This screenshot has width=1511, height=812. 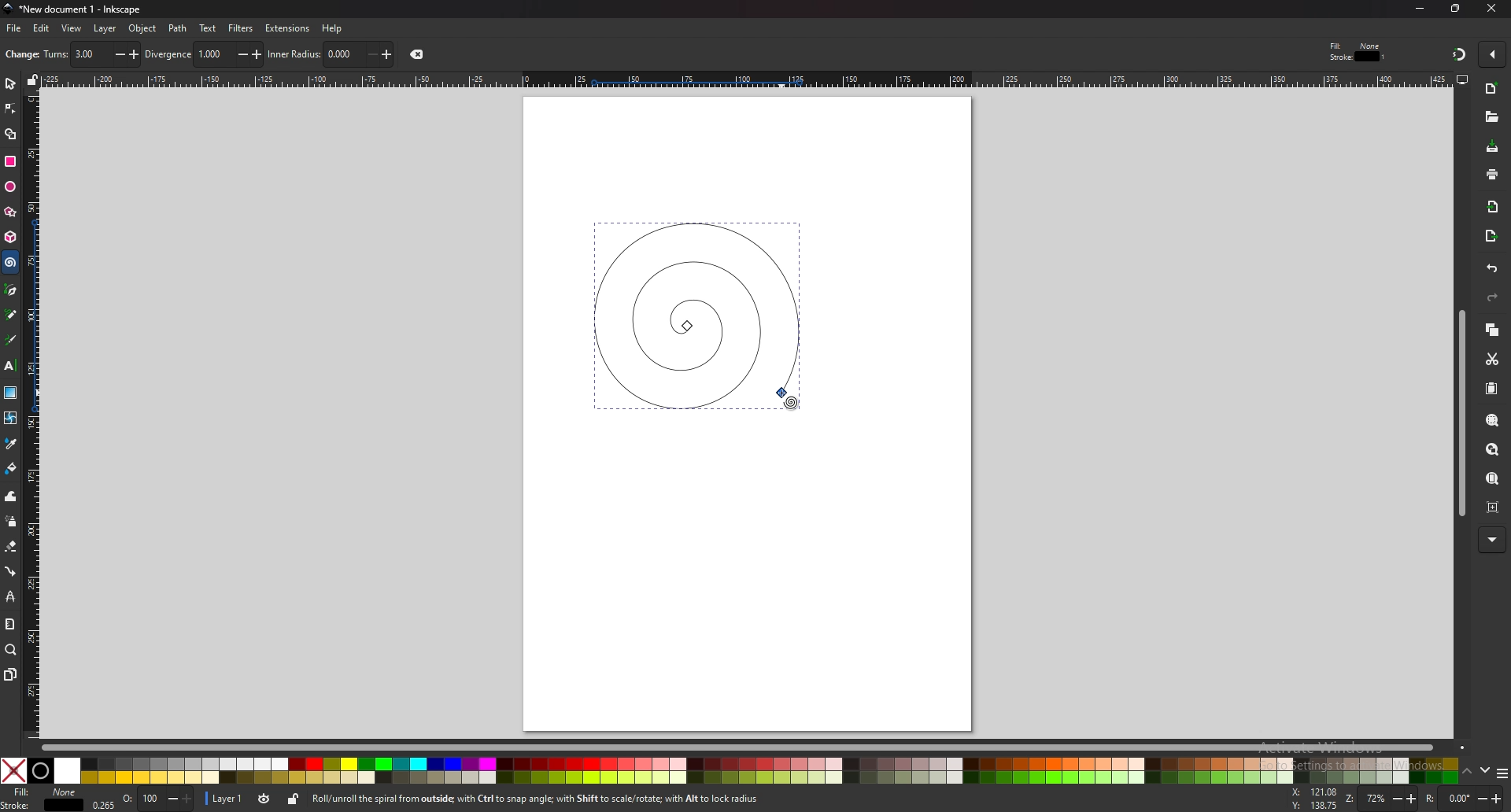 What do you see at coordinates (1381, 799) in the screenshot?
I see `Z: 72%` at bounding box center [1381, 799].